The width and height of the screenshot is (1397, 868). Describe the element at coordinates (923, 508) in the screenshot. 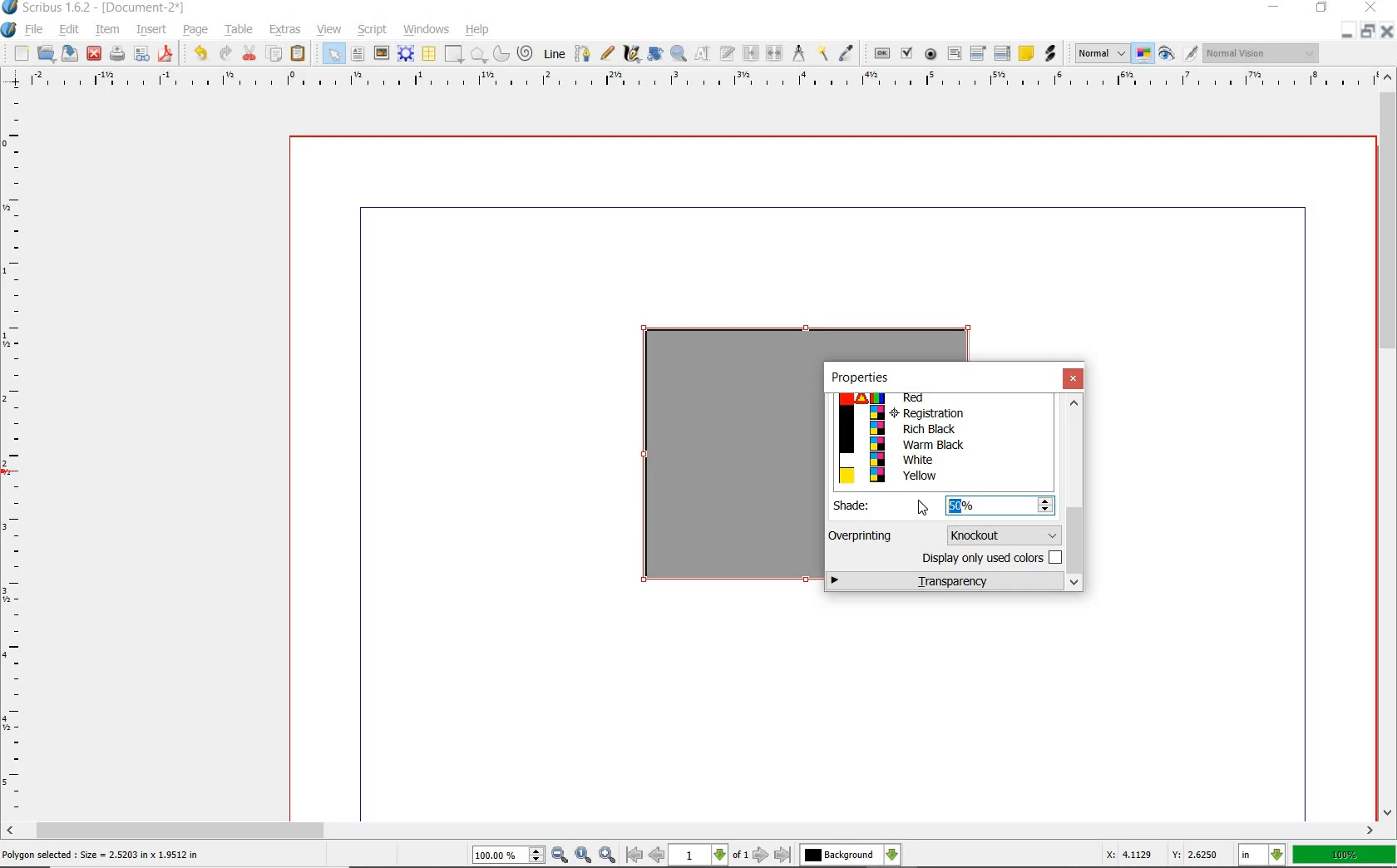

I see `cursor` at that location.